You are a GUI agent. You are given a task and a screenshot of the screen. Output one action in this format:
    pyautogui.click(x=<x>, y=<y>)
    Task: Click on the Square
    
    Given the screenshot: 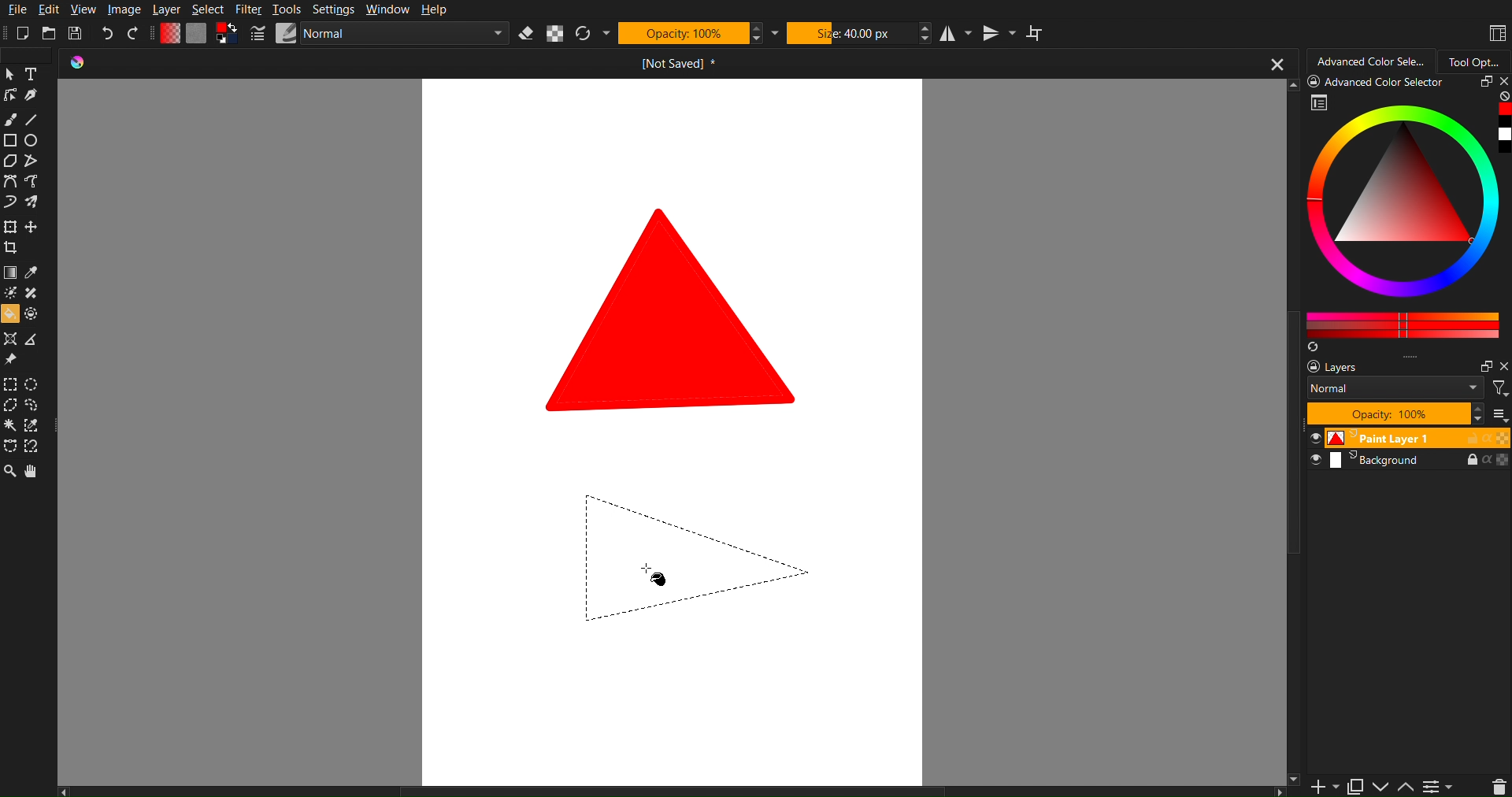 What is the action you would take?
    pyautogui.click(x=9, y=141)
    